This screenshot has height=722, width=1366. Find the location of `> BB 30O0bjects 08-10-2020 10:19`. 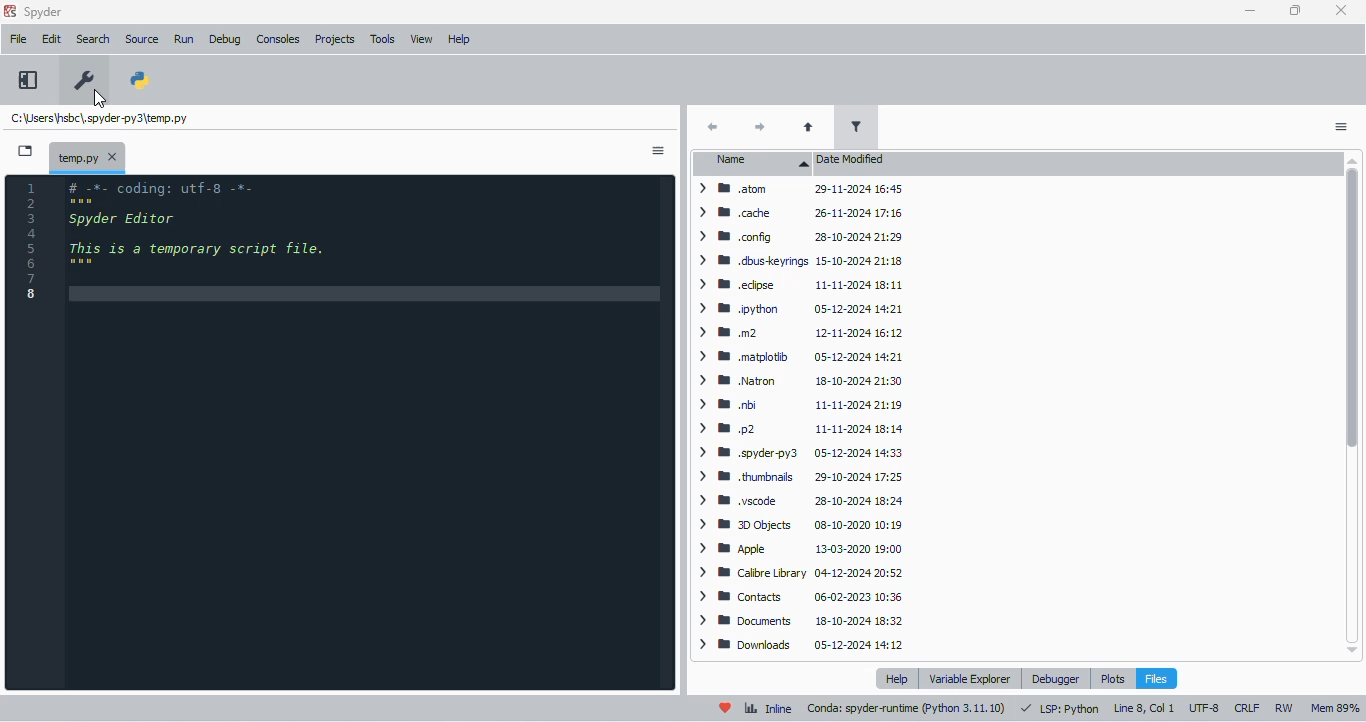

> BB 30O0bjects 08-10-2020 10:19 is located at coordinates (798, 523).